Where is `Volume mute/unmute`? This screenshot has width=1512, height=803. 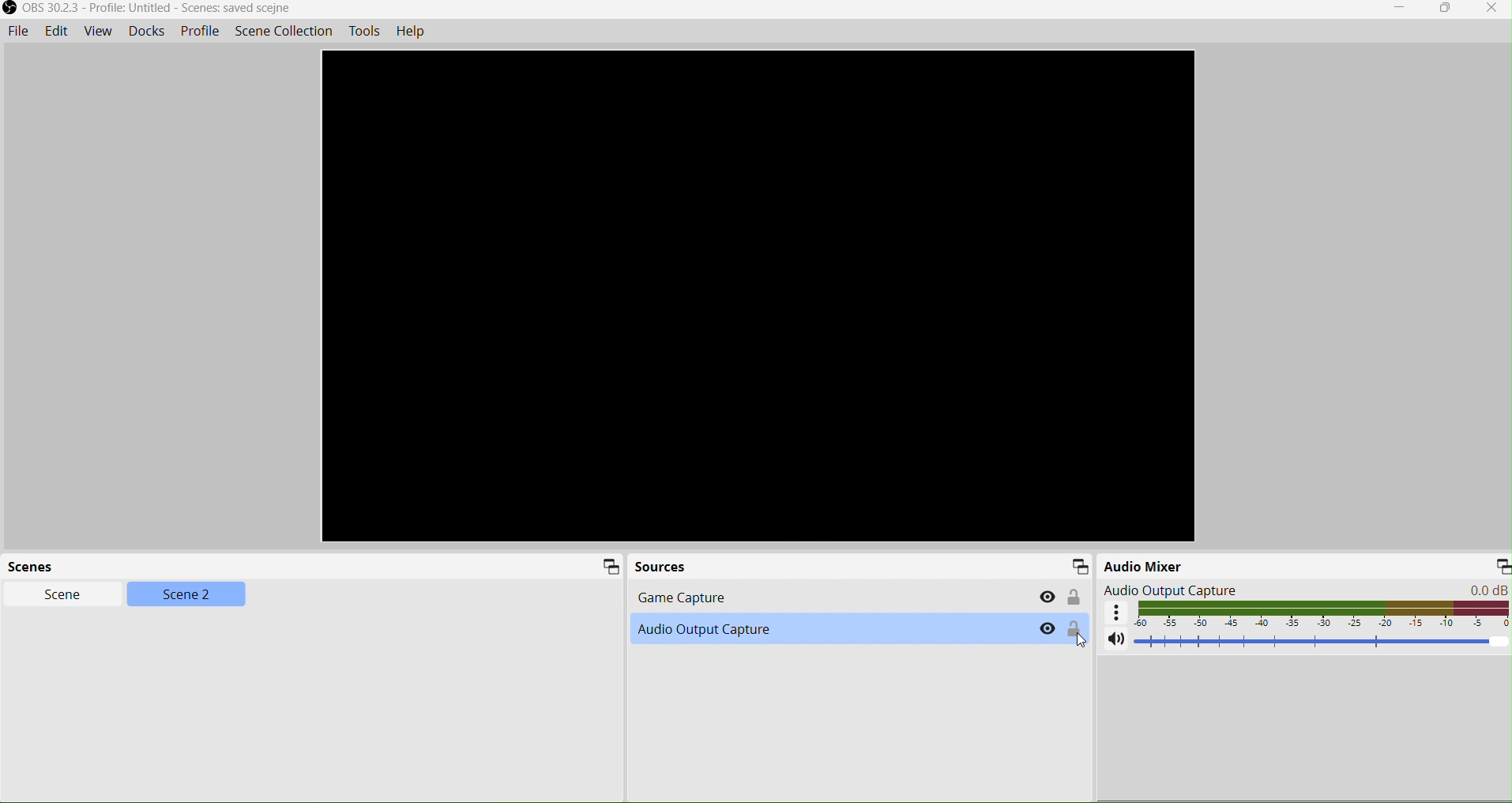 Volume mute/unmute is located at coordinates (1106, 637).